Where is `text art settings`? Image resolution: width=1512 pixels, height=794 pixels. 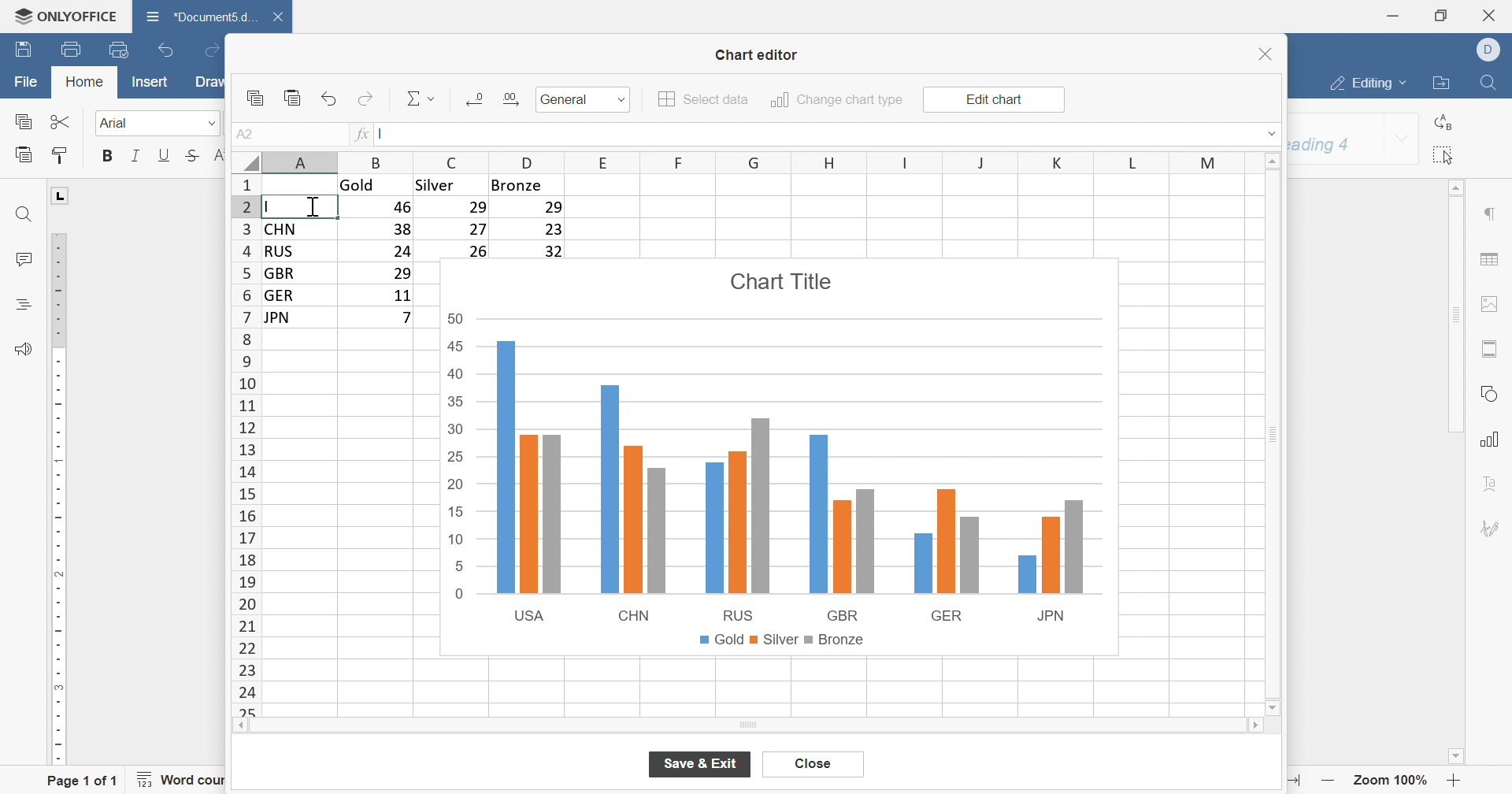 text art settings is located at coordinates (1489, 483).